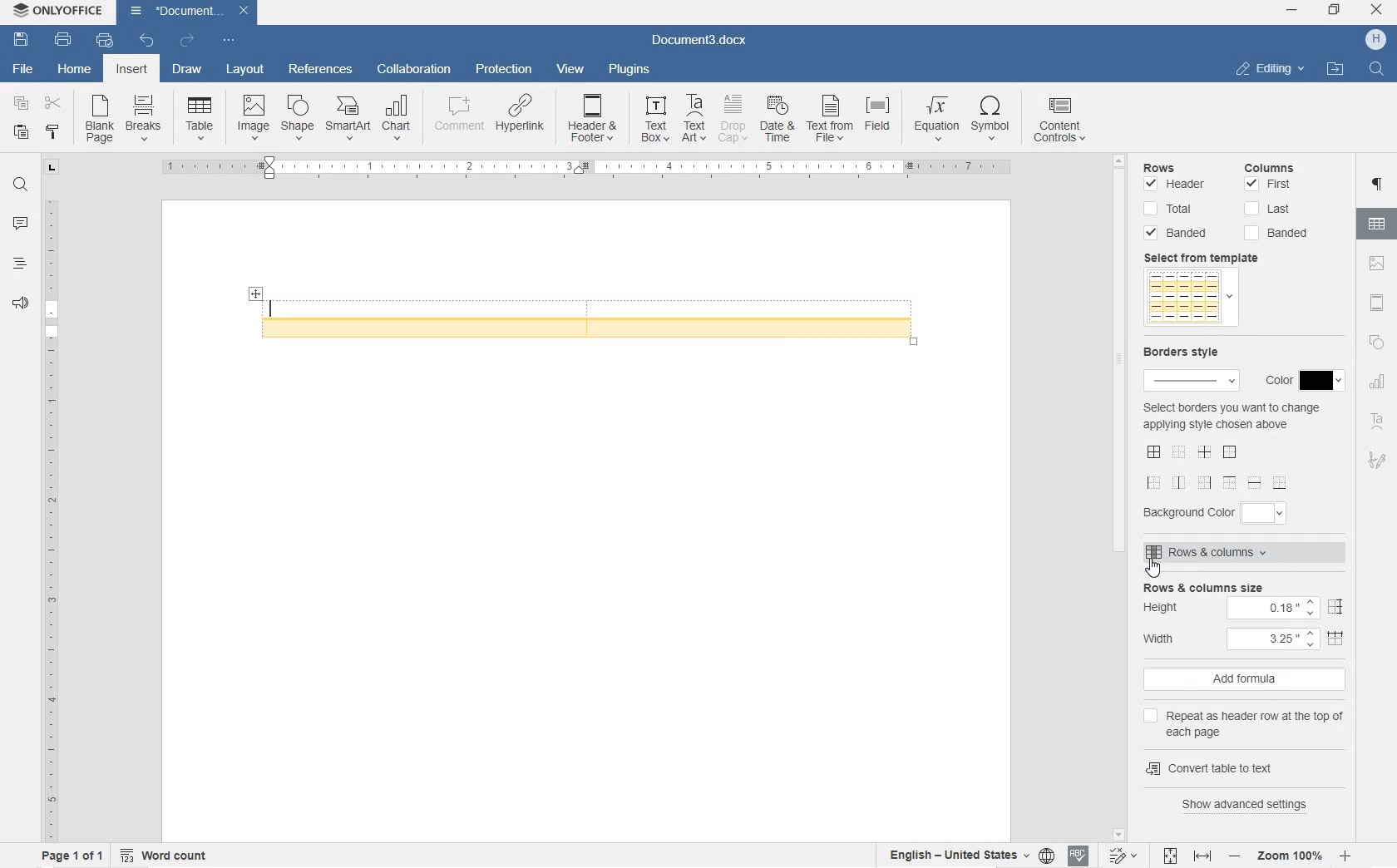 The image size is (1397, 868). I want to click on Header, so click(1179, 185).